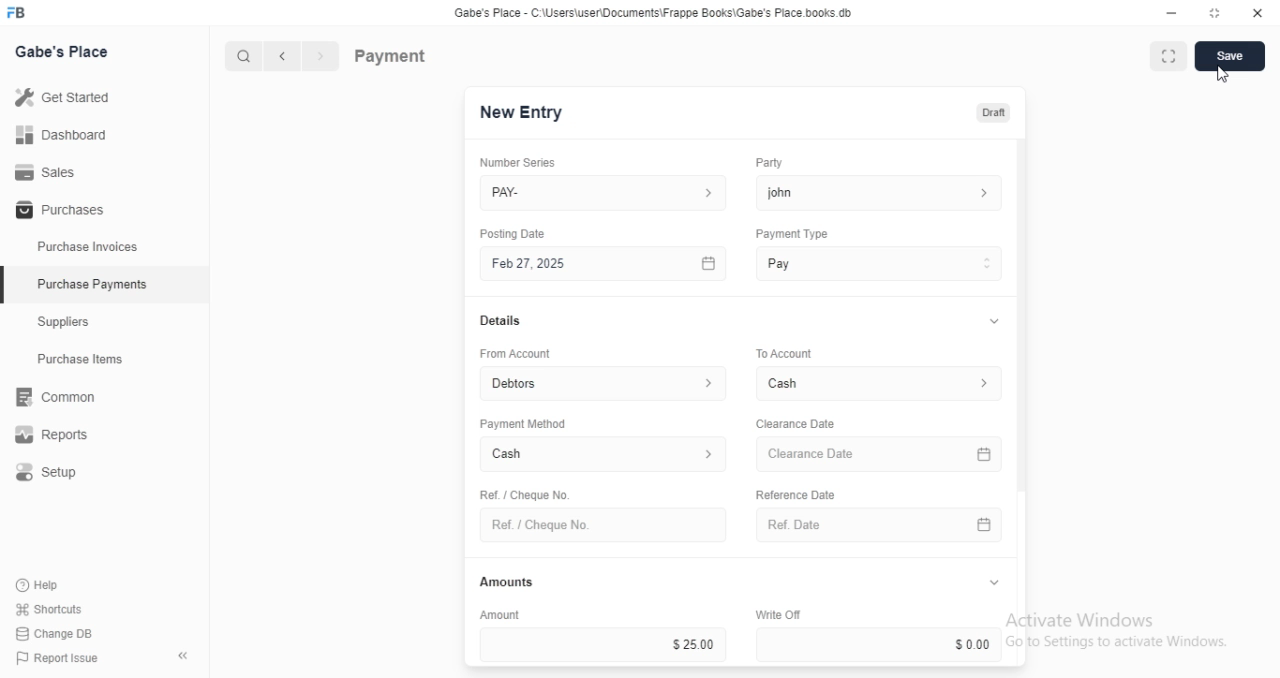  I want to click on Help, so click(40, 586).